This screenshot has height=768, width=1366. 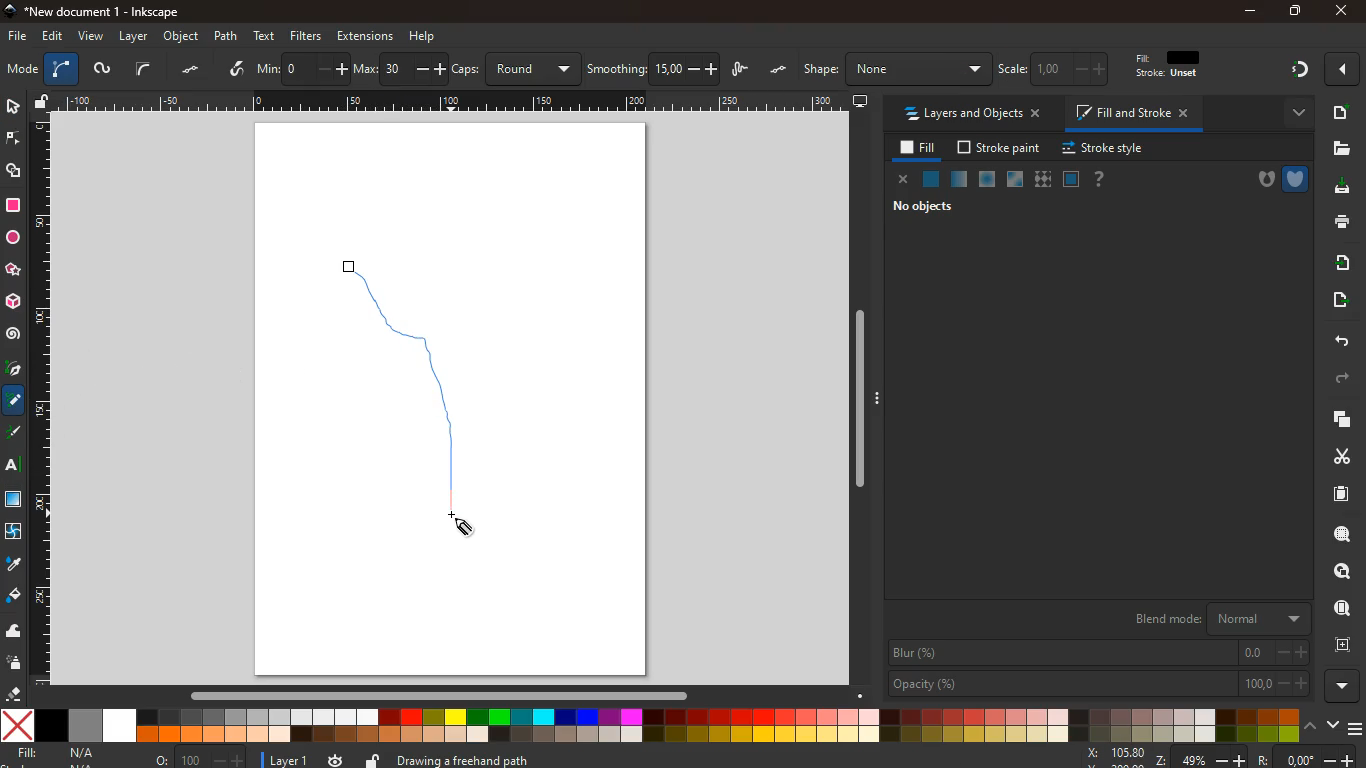 What do you see at coordinates (1042, 179) in the screenshot?
I see `texture` at bounding box center [1042, 179].